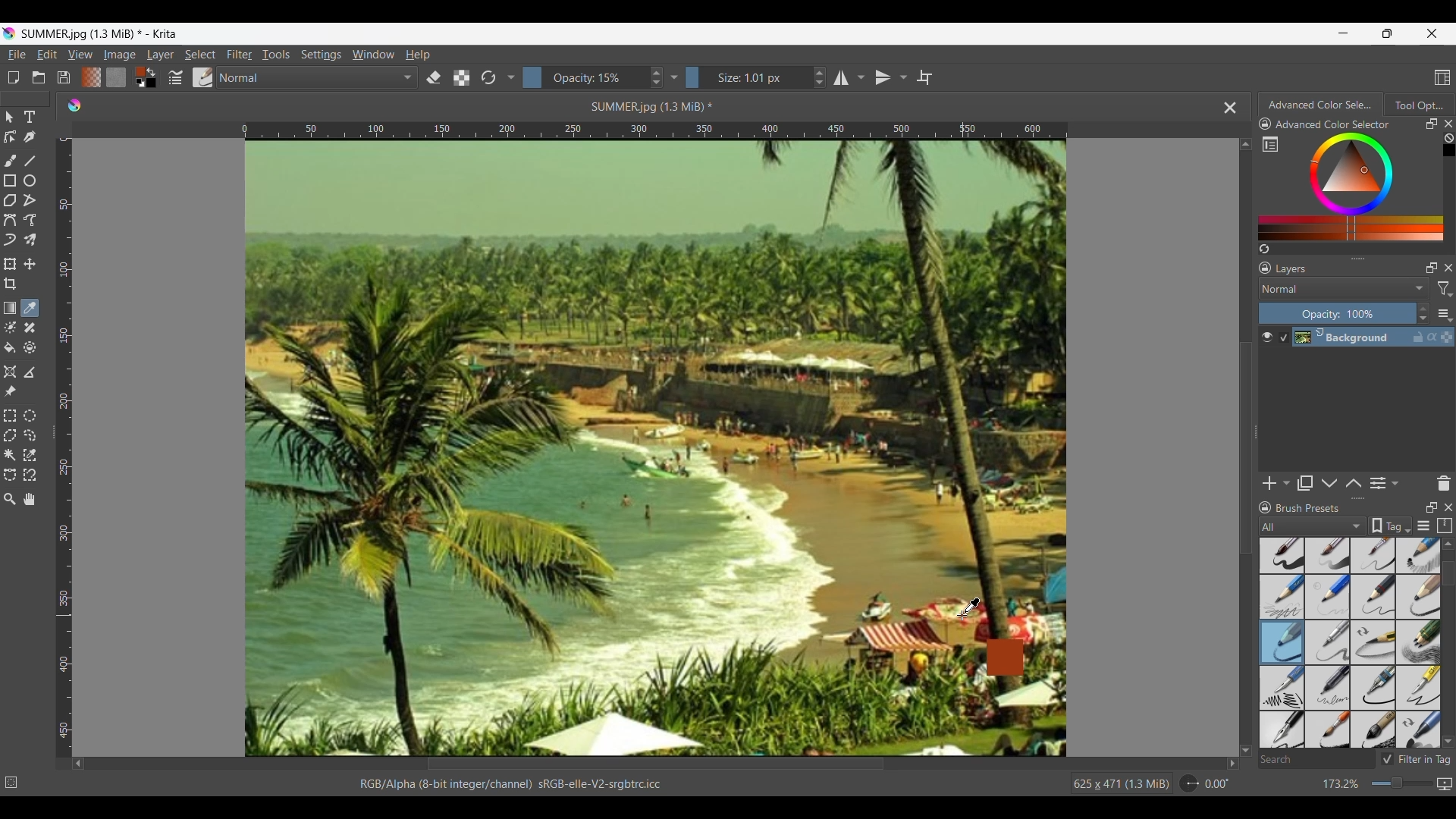 The image size is (1456, 819). Describe the element at coordinates (882, 77) in the screenshot. I see `Vertical mirror tool` at that location.